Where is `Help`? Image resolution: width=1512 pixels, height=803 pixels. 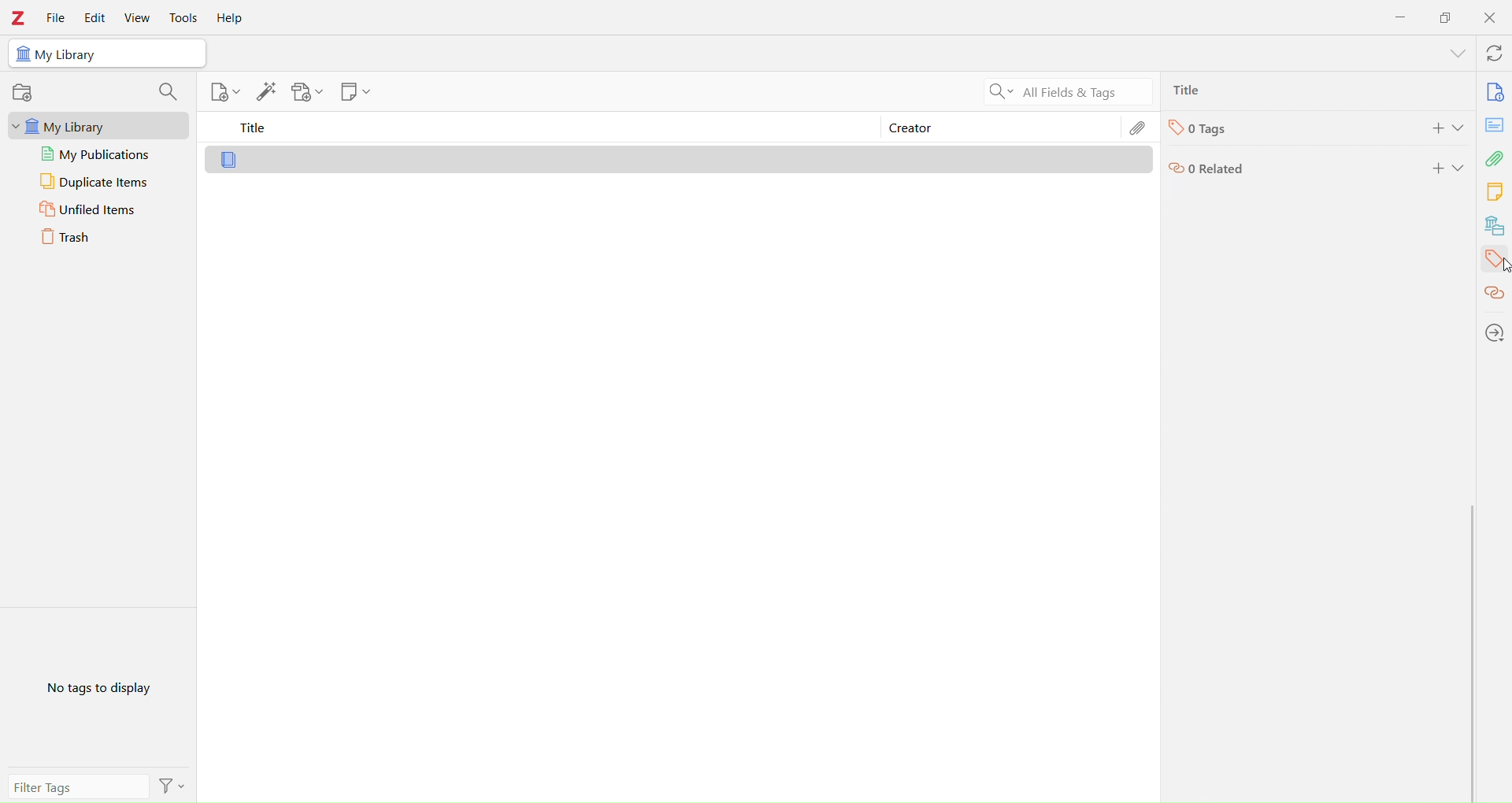
Help is located at coordinates (230, 19).